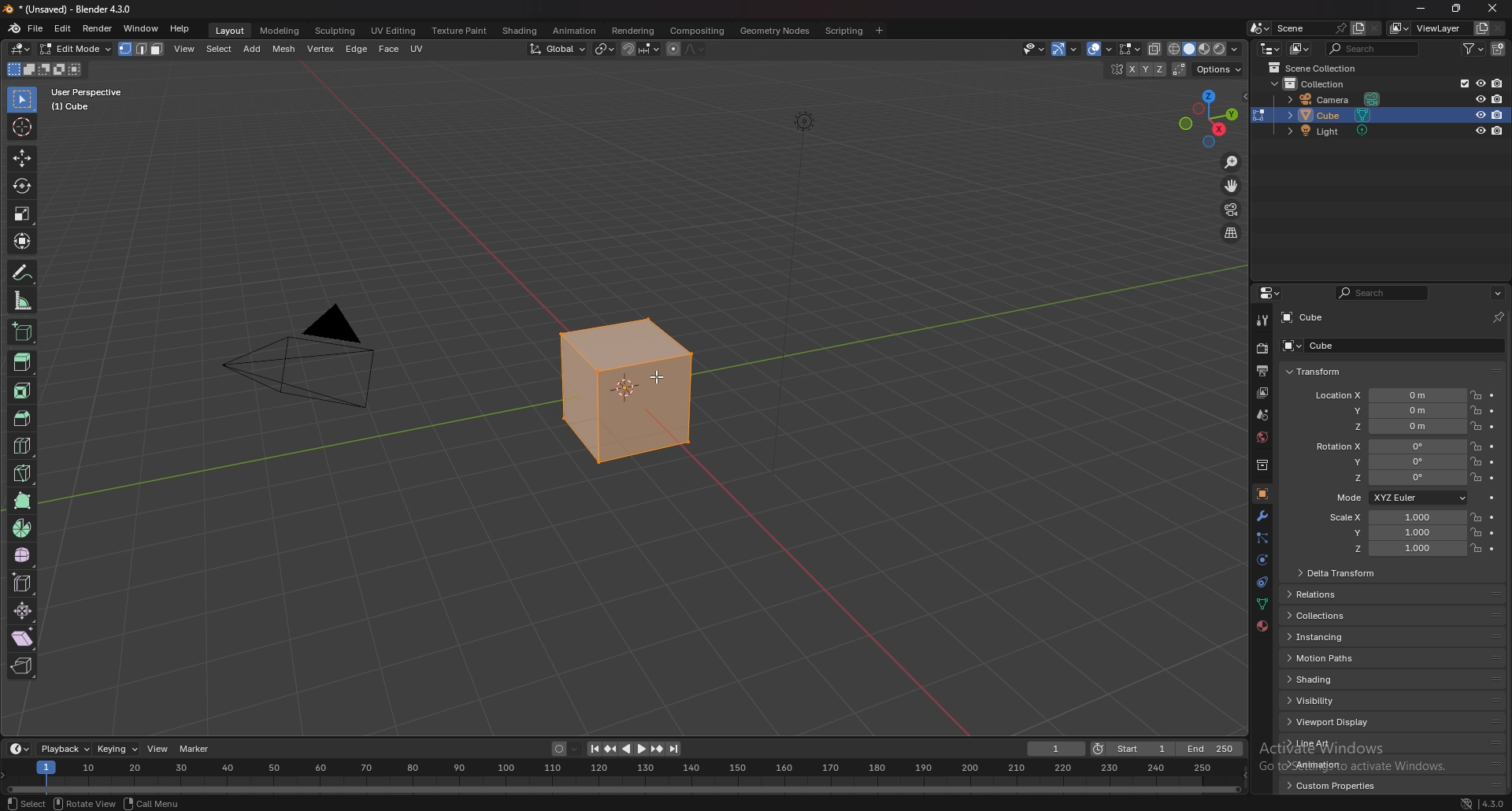  I want to click on particle, so click(1263, 539).